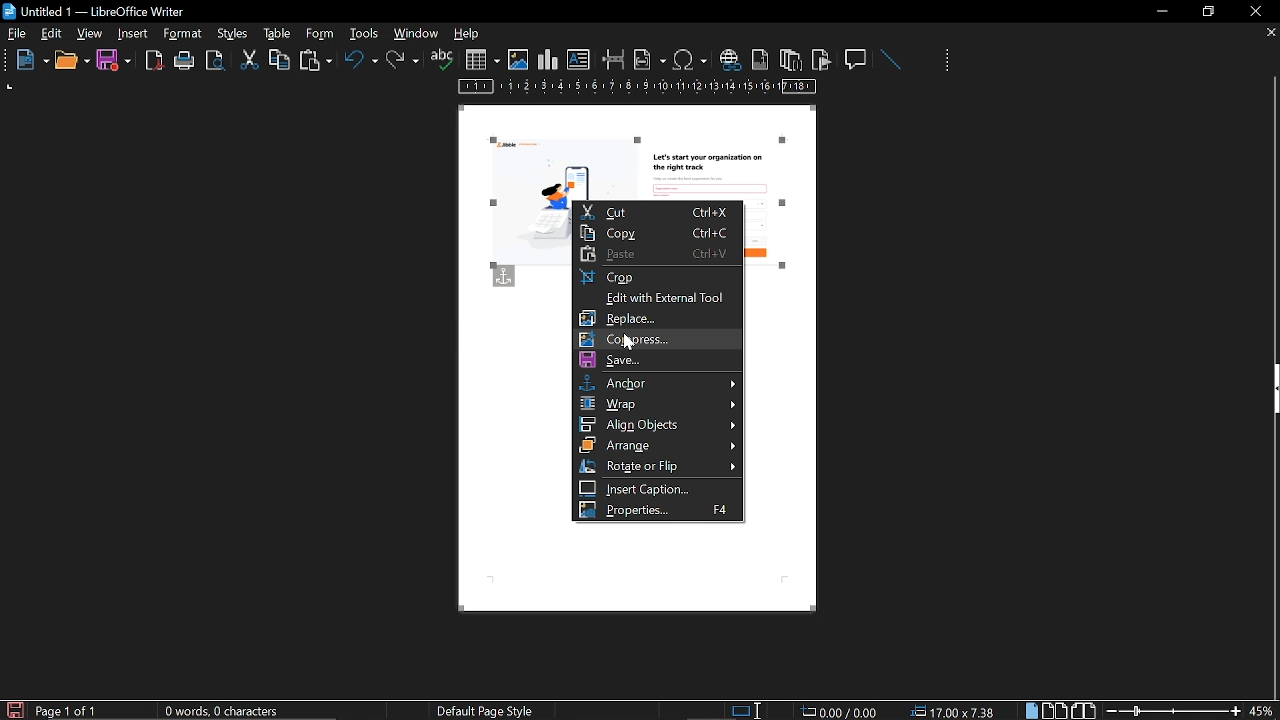 Image resolution: width=1280 pixels, height=720 pixels. Describe the element at coordinates (1034, 710) in the screenshot. I see `single page view` at that location.